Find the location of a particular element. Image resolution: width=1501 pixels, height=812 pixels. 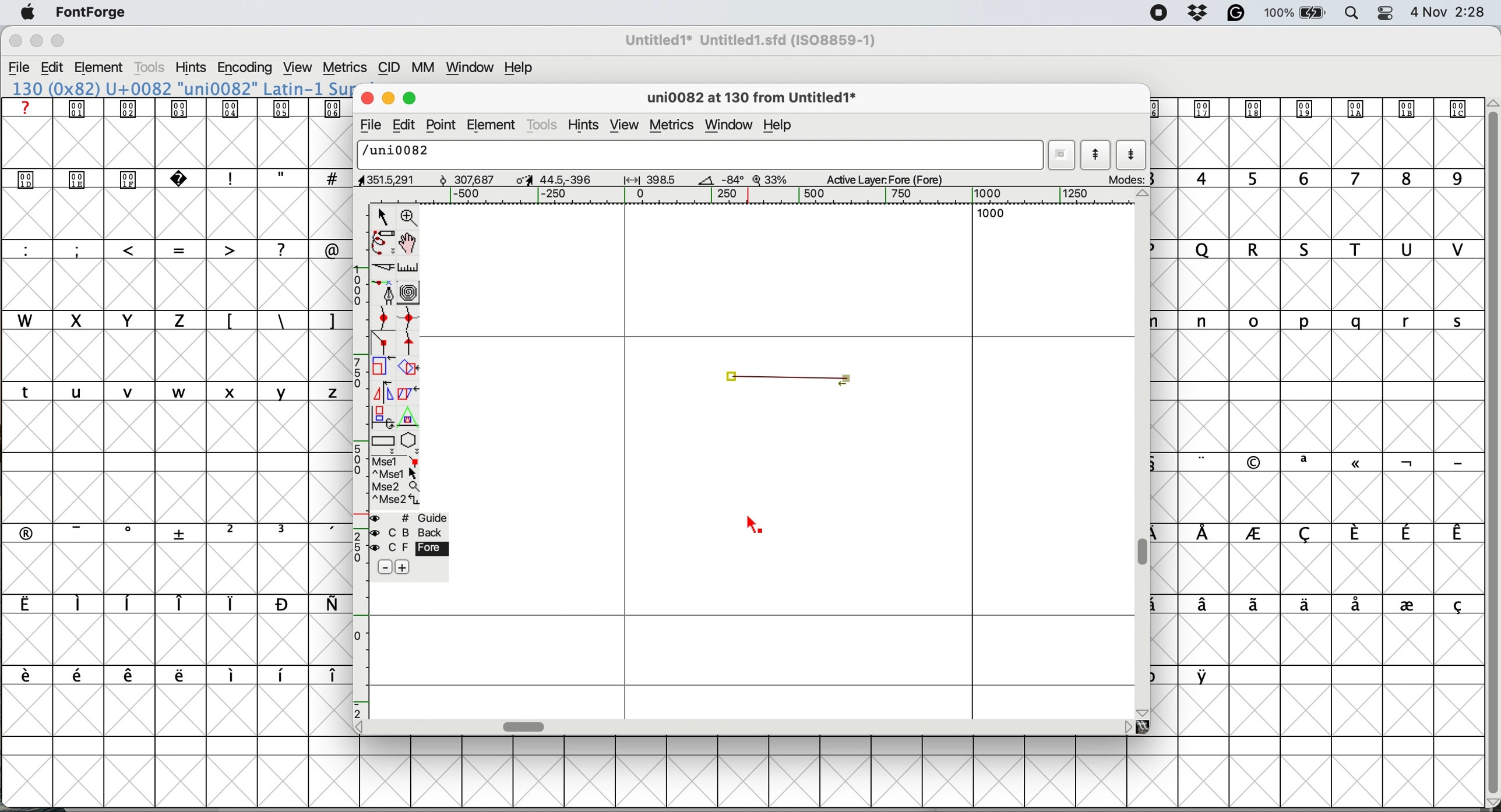

point is located at coordinates (442, 125).